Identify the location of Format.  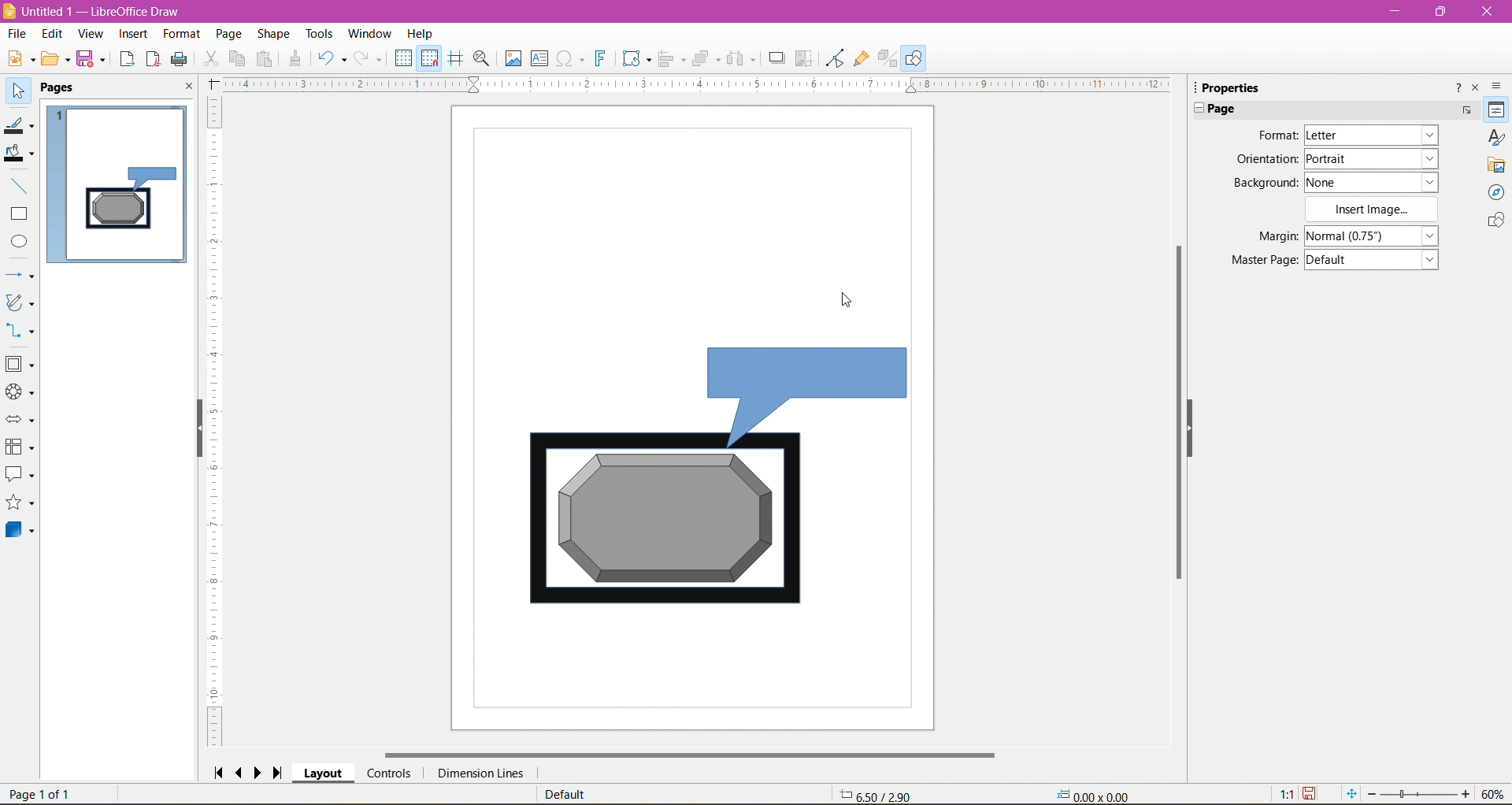
(180, 34).